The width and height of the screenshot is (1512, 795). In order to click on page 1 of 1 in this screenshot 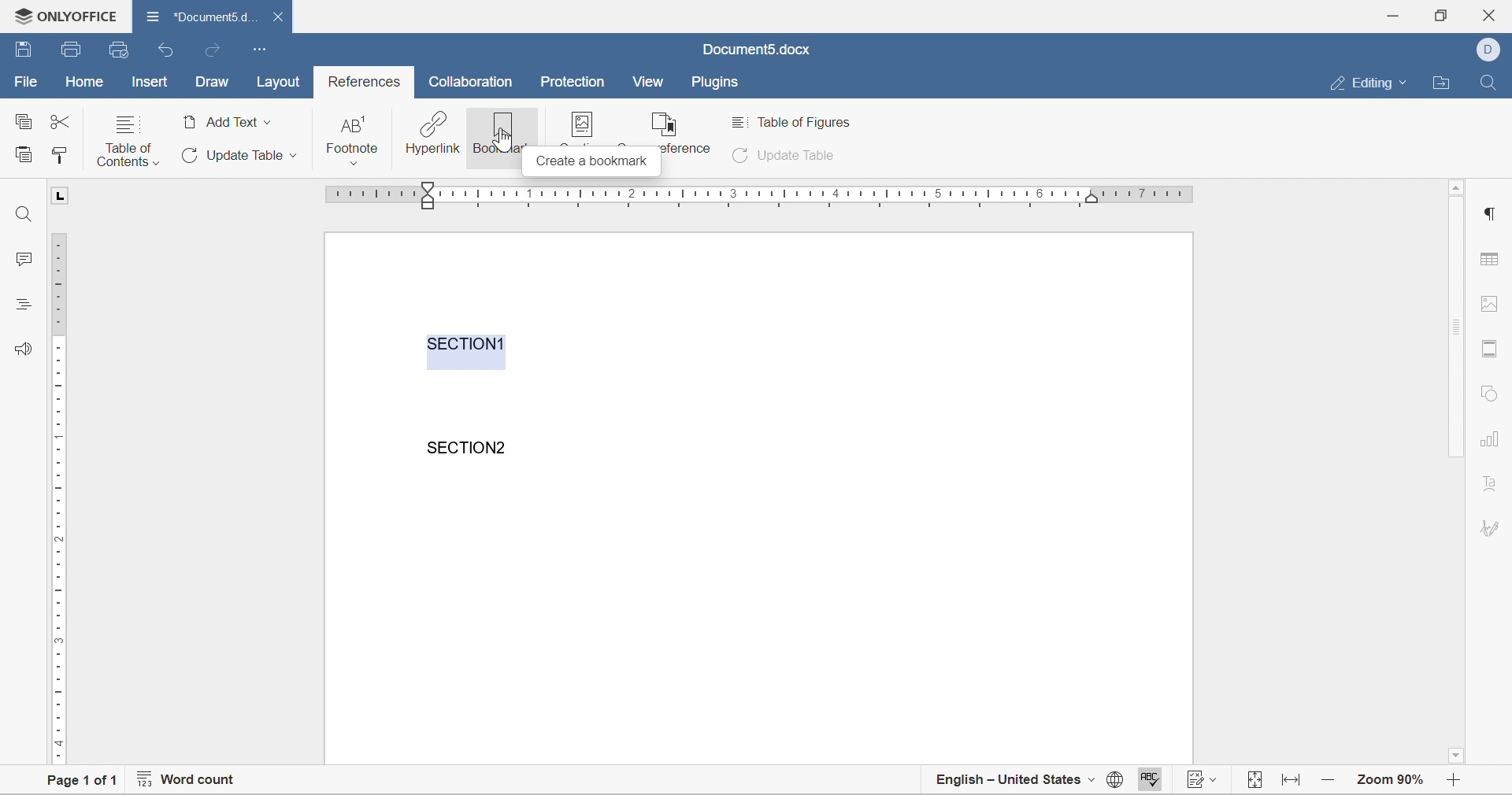, I will do `click(76, 782)`.